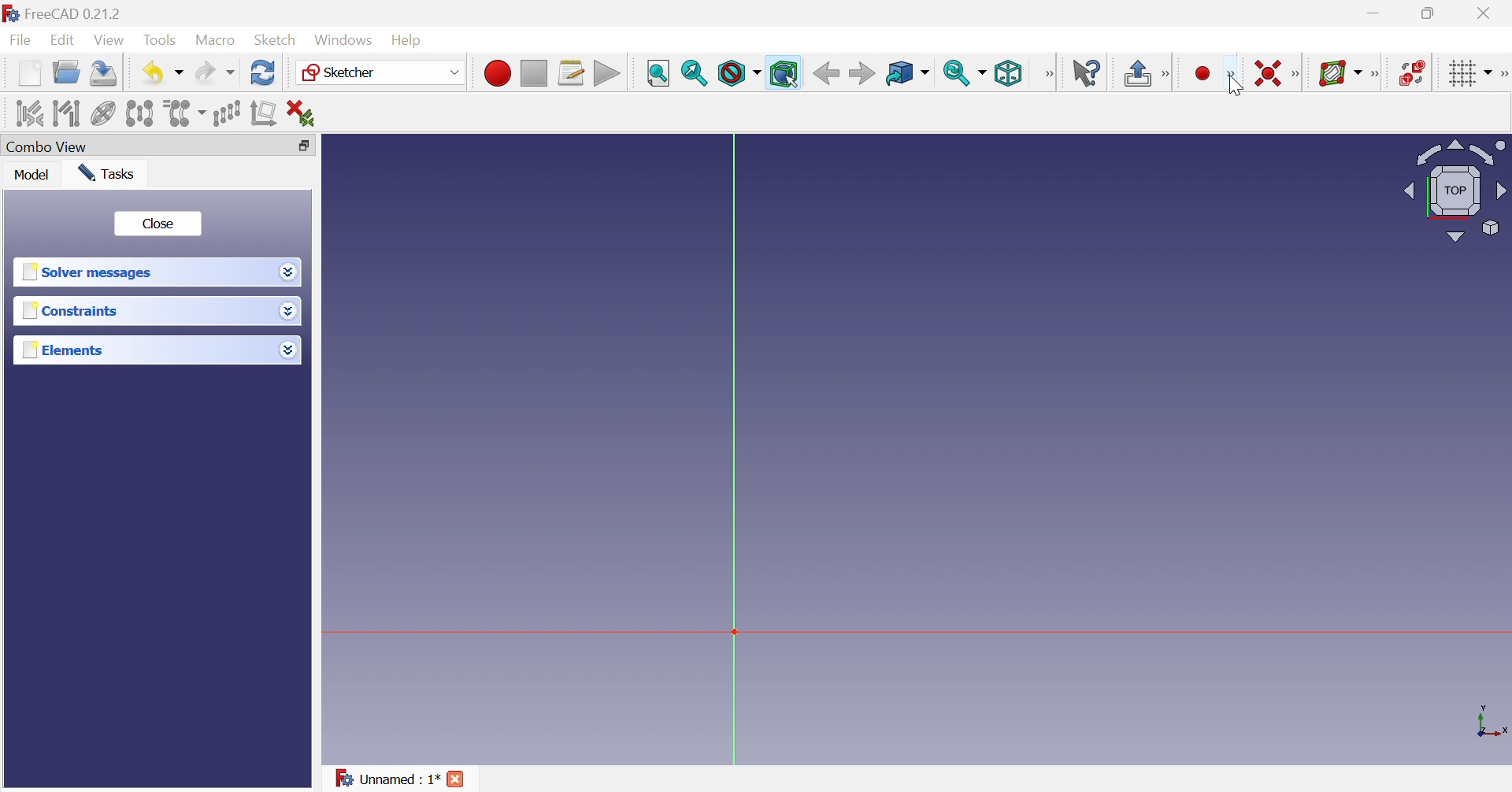 This screenshot has width=1512, height=792. What do you see at coordinates (213, 72) in the screenshot?
I see `Redo` at bounding box center [213, 72].